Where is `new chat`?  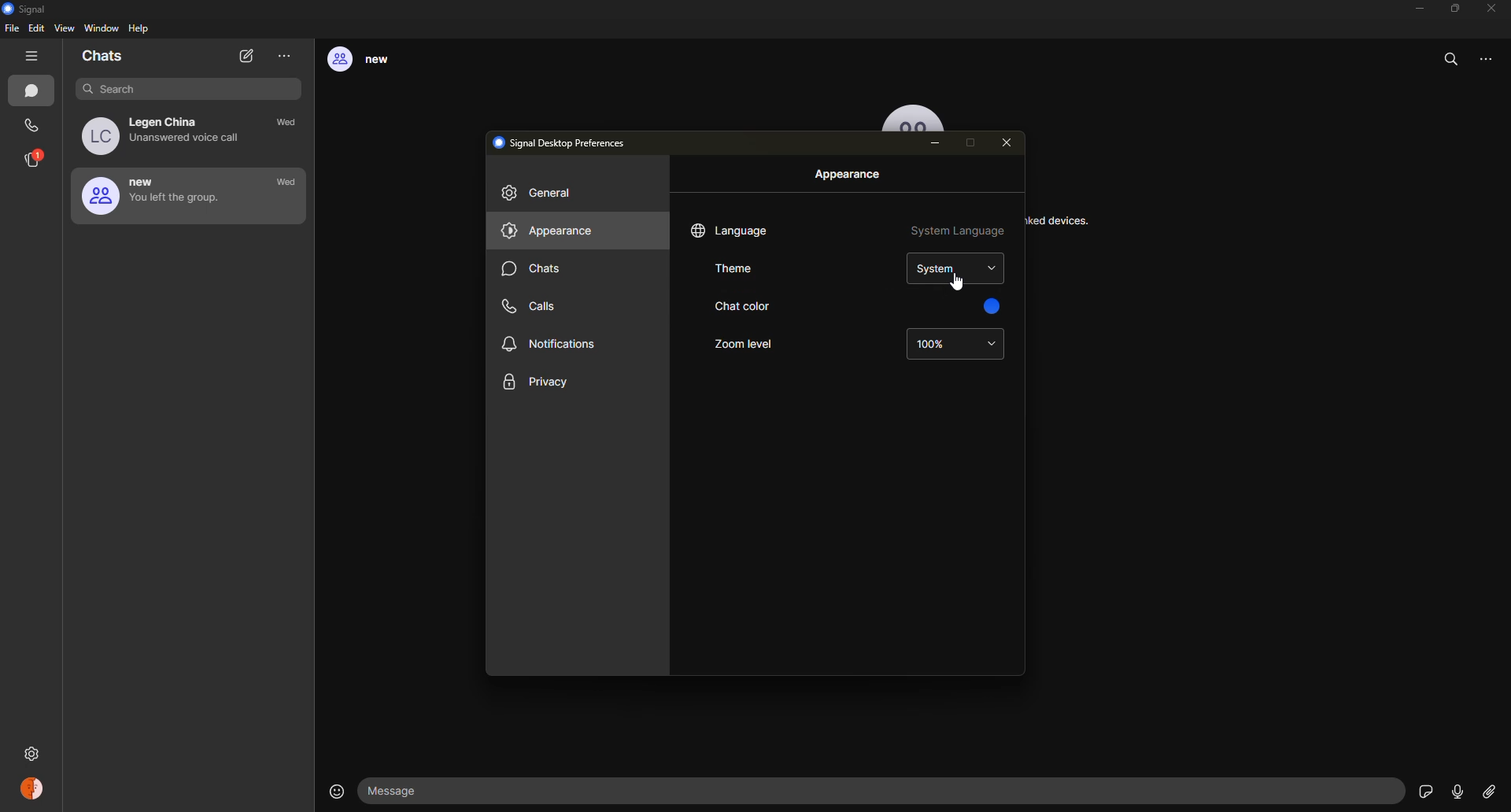
new chat is located at coordinates (248, 57).